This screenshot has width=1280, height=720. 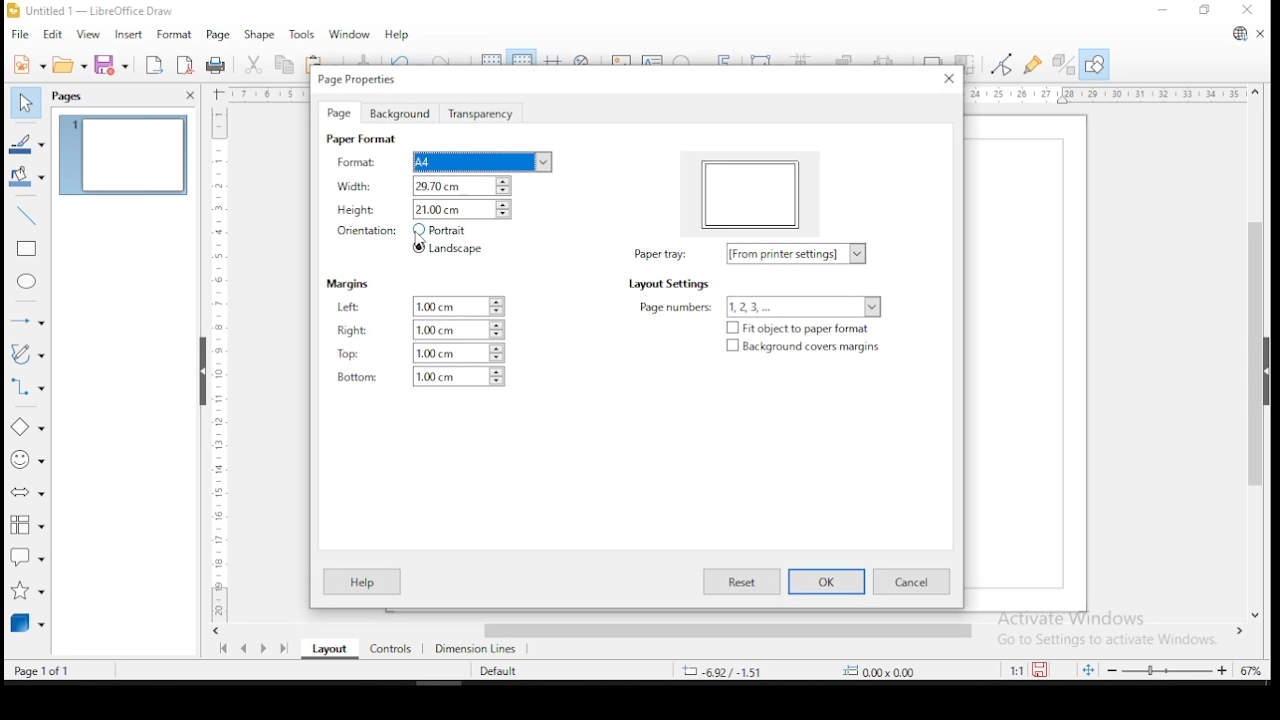 I want to click on preview, so click(x=752, y=192).